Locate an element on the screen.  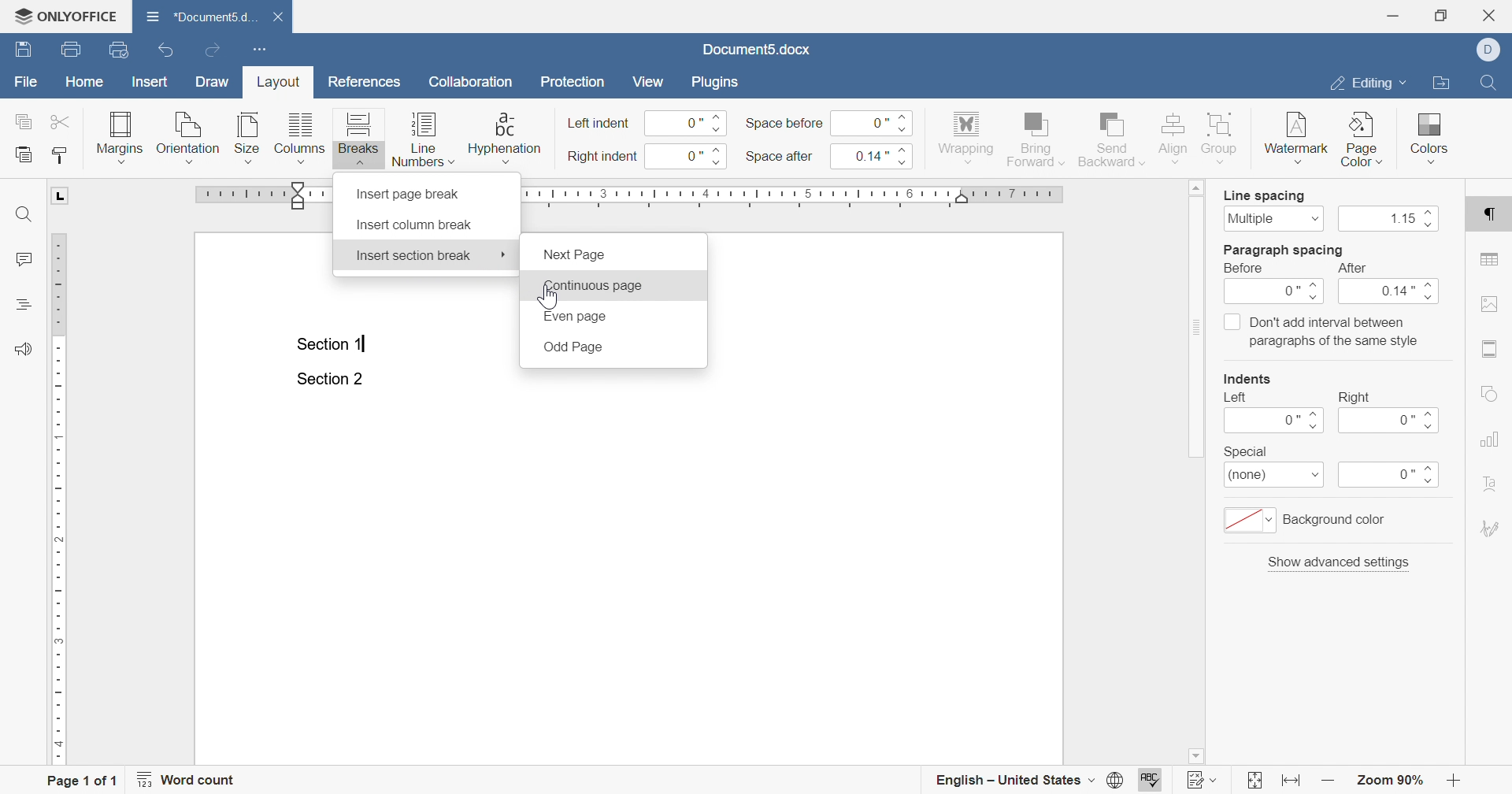
right is located at coordinates (1354, 397).